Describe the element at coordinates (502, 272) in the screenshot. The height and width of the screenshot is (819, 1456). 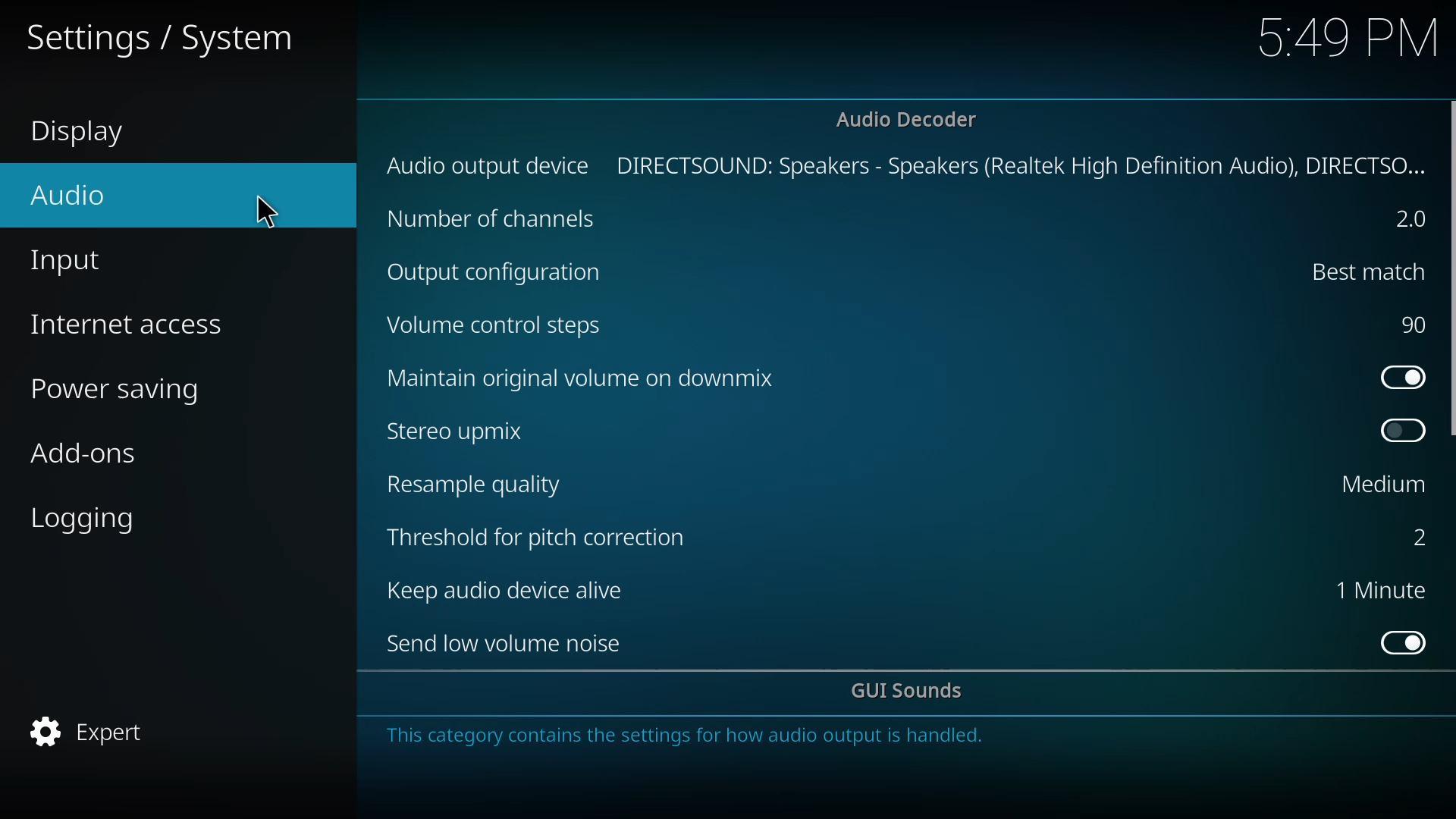
I see `output cofig` at that location.